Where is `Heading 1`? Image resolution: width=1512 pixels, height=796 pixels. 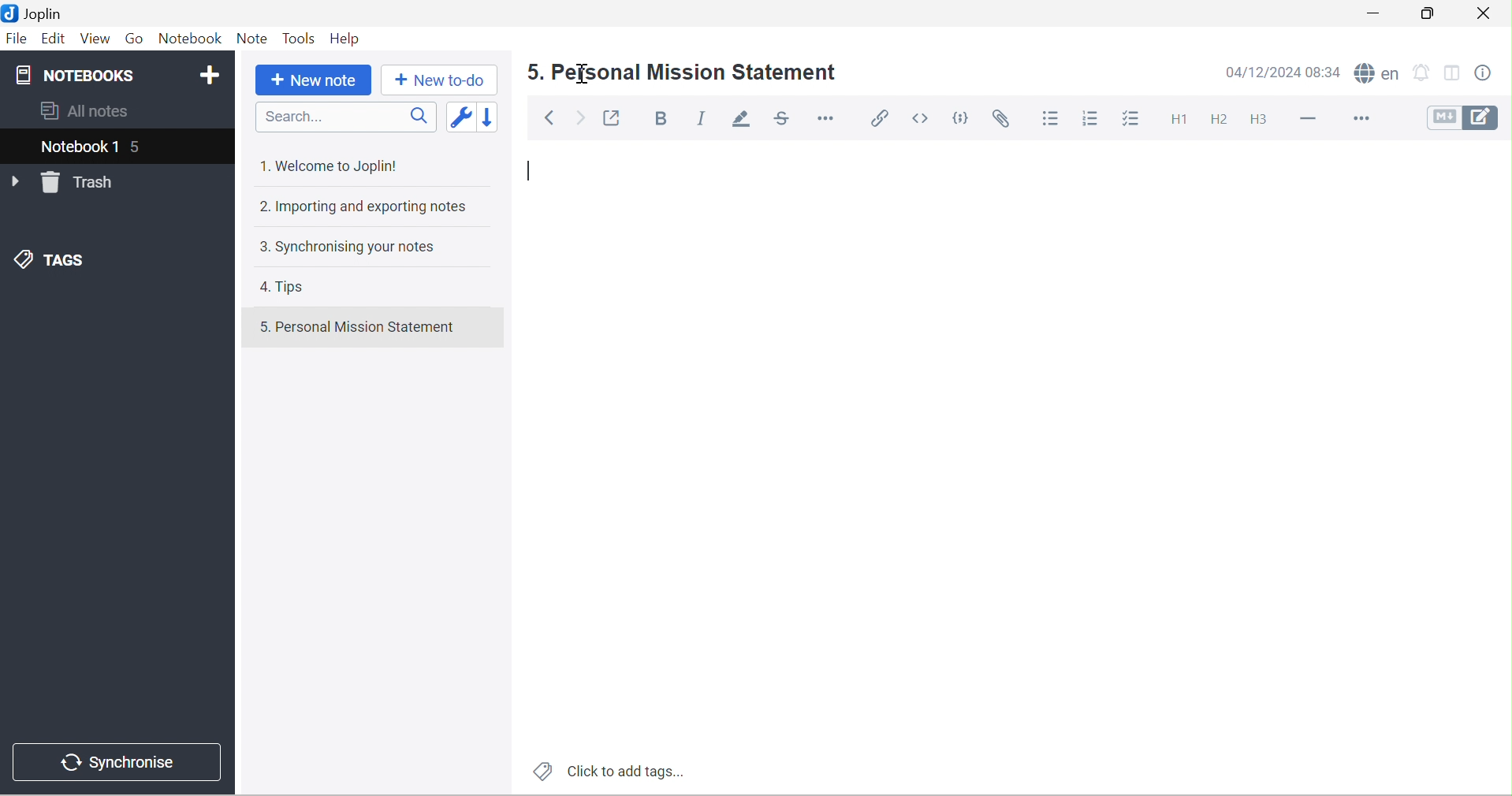 Heading 1 is located at coordinates (1185, 118).